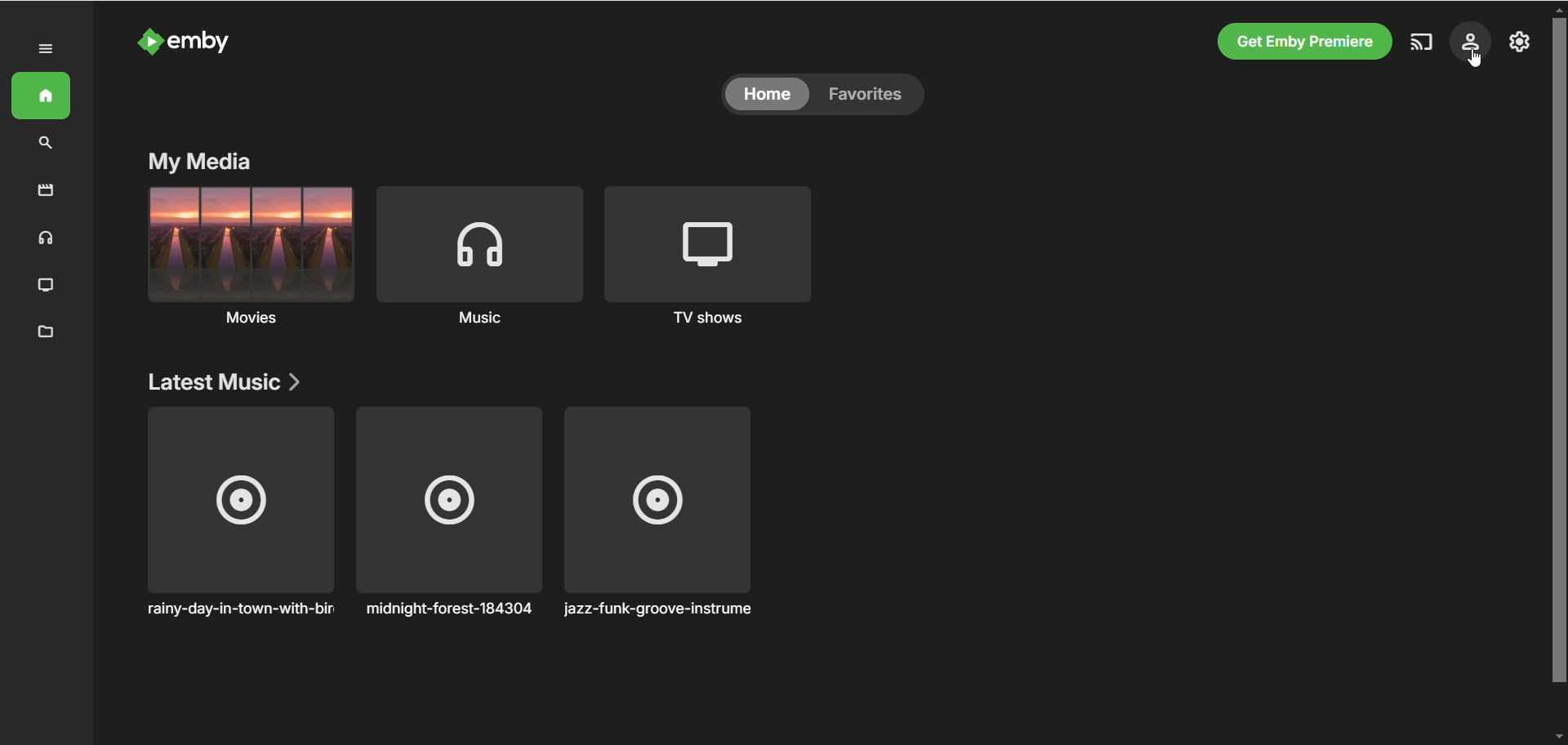 This screenshot has width=1568, height=745. I want to click on vertical scroll bar, so click(1558, 375).